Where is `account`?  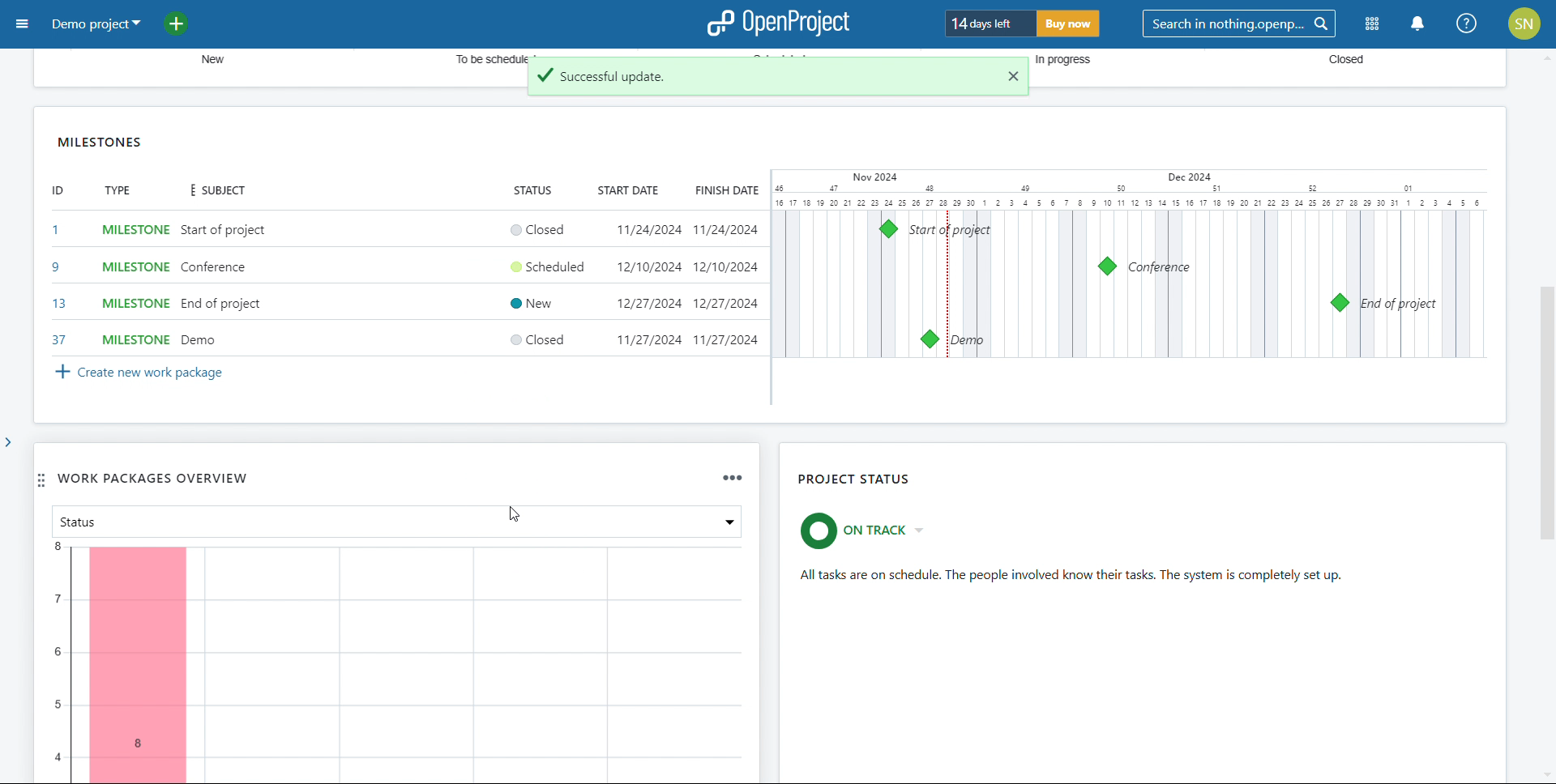
account is located at coordinates (1524, 23).